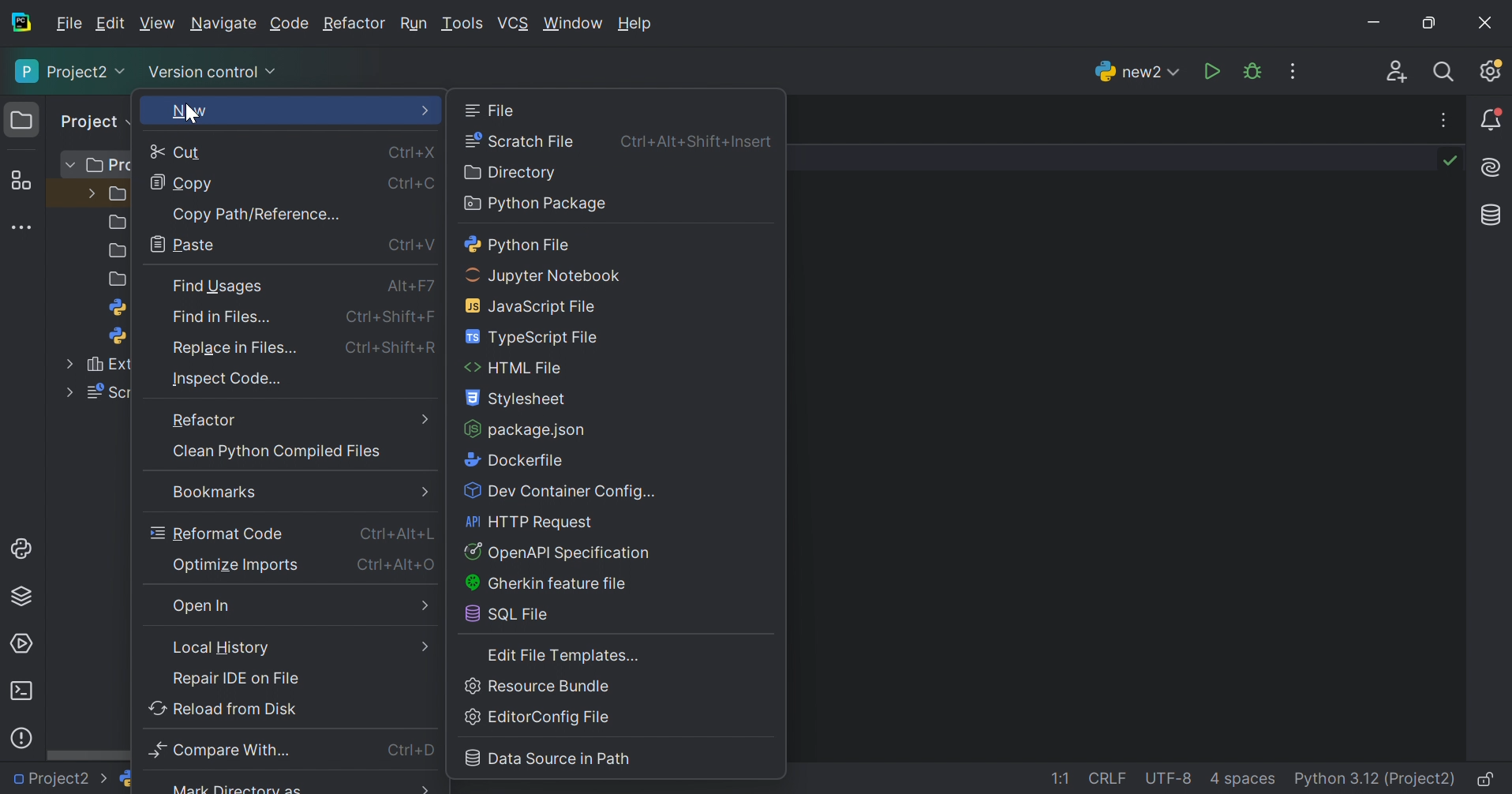 This screenshot has height=794, width=1512. I want to click on Debug, so click(1252, 71).